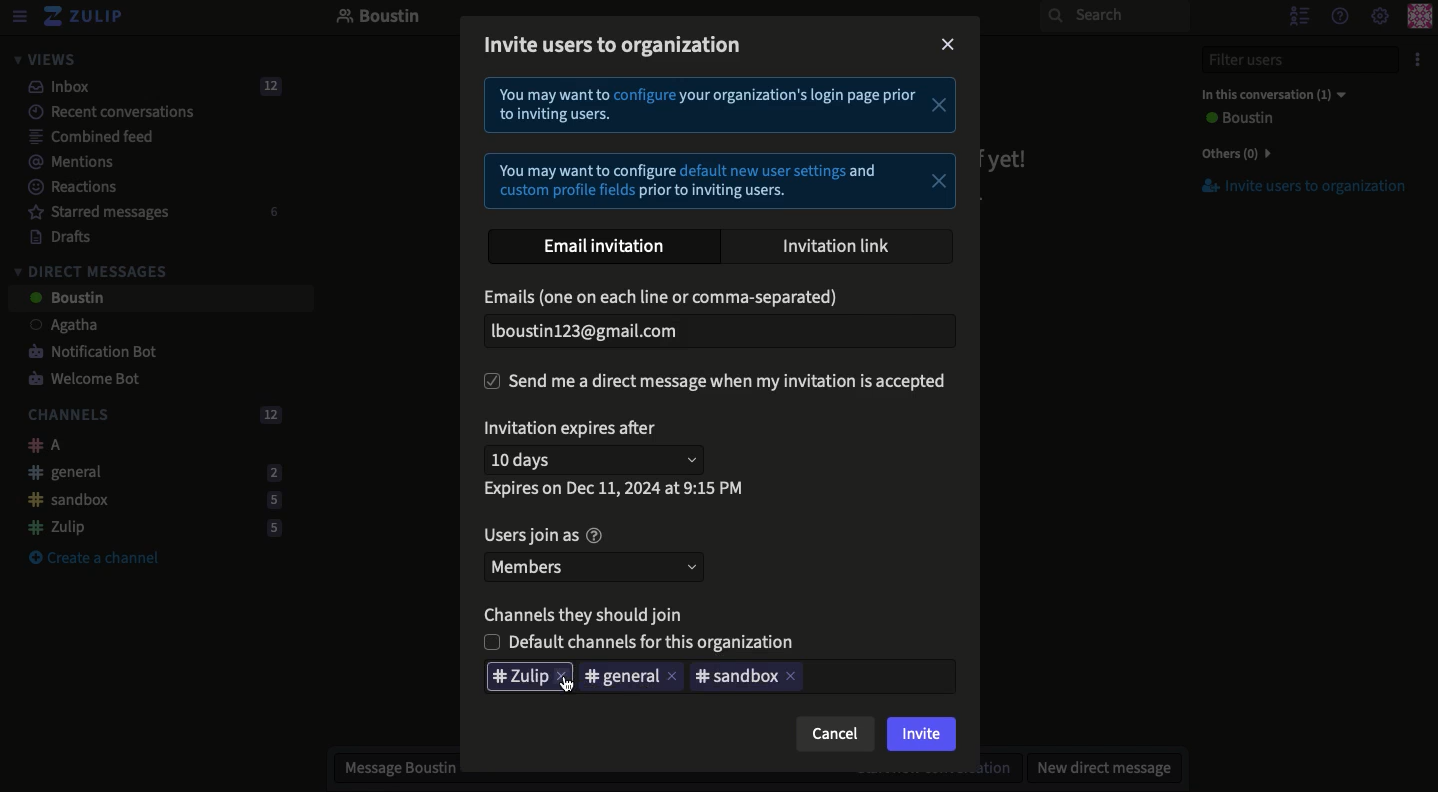 The height and width of the screenshot is (792, 1438). Describe the element at coordinates (85, 353) in the screenshot. I see `Notification bot` at that location.